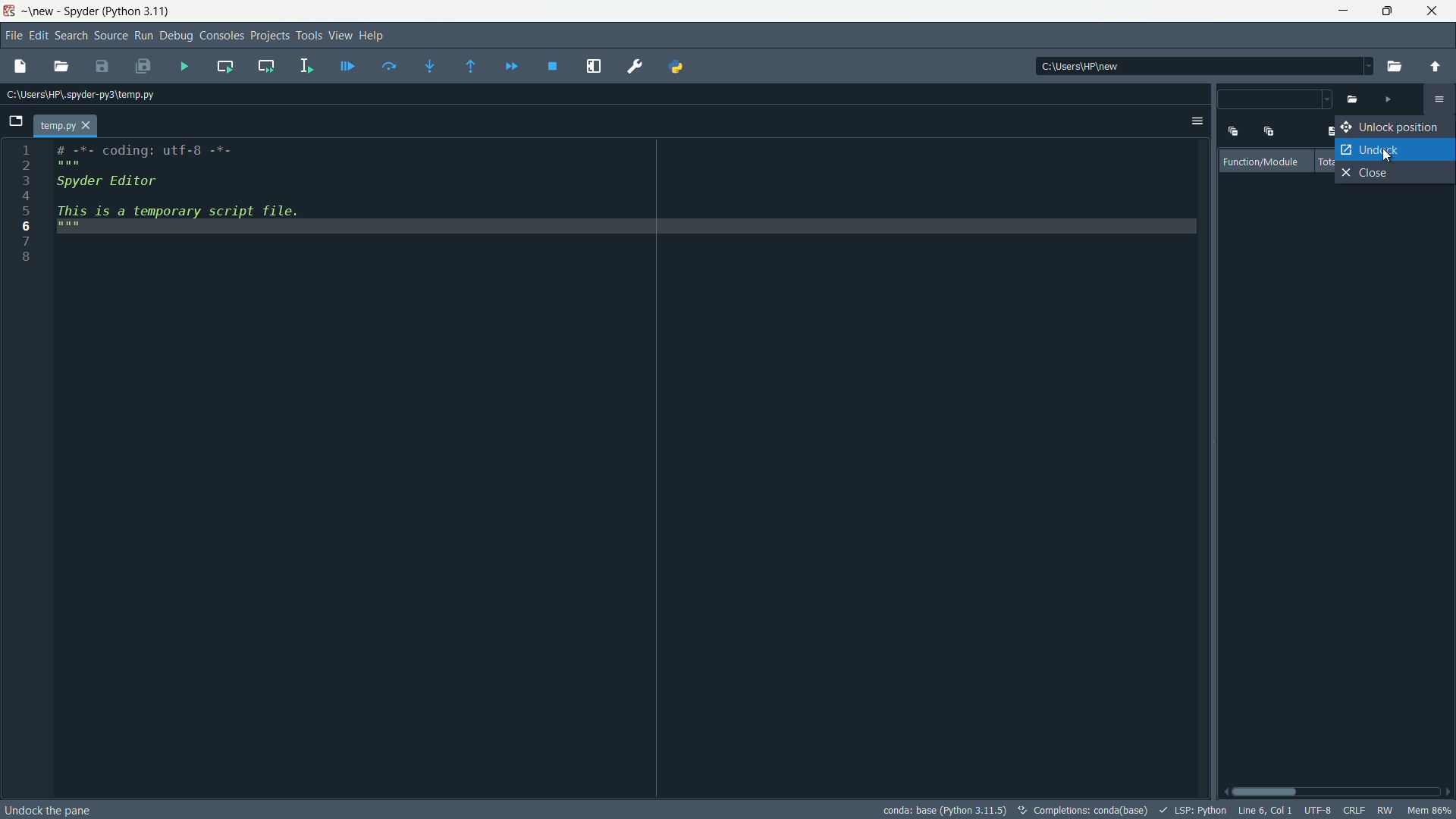 The image size is (1456, 819). What do you see at coordinates (306, 66) in the screenshot?
I see `run selection` at bounding box center [306, 66].